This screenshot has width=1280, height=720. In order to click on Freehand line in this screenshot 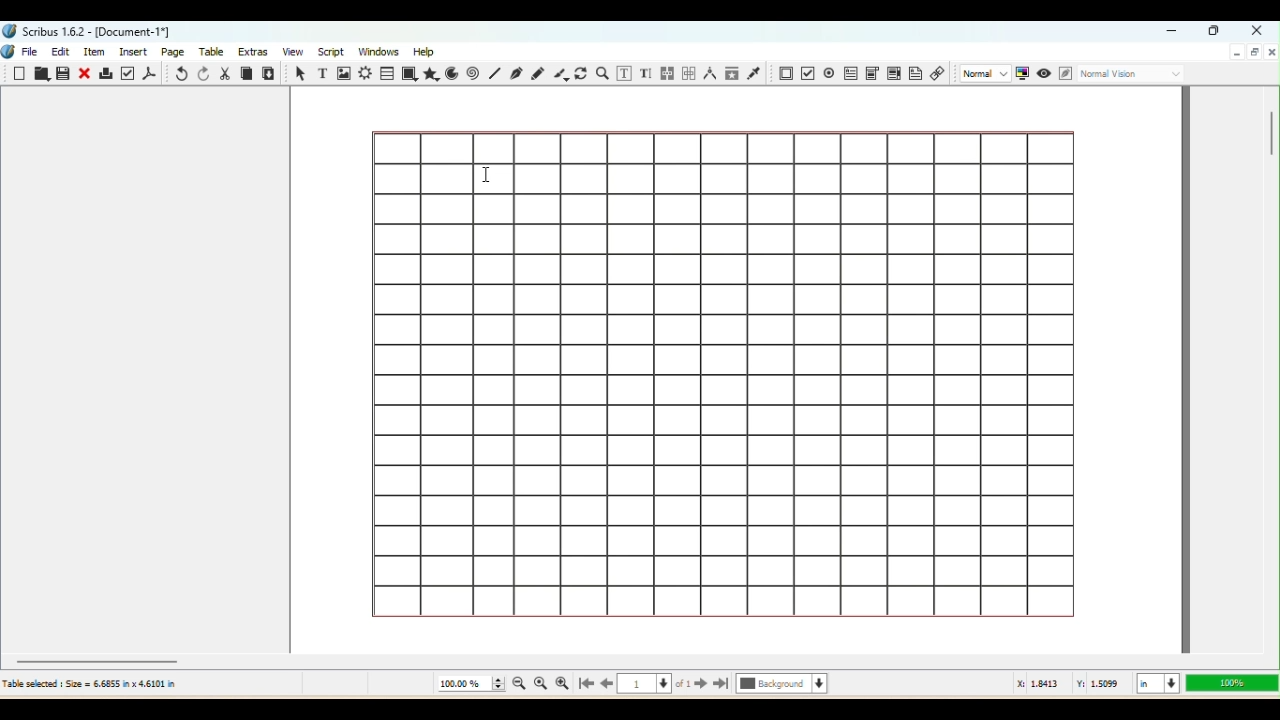, I will do `click(537, 72)`.